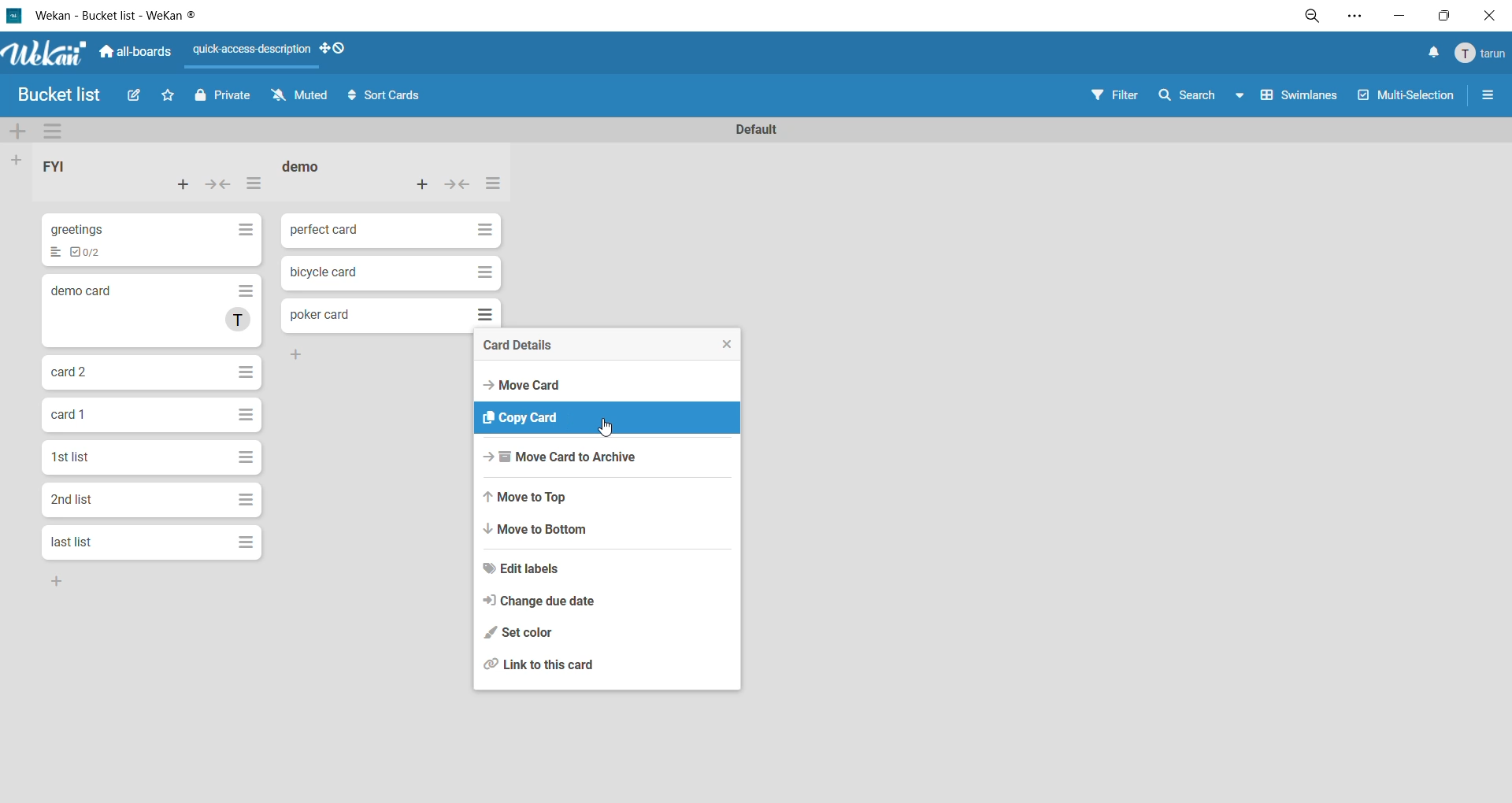 The width and height of the screenshot is (1512, 803). Describe the element at coordinates (528, 417) in the screenshot. I see `copy card` at that location.